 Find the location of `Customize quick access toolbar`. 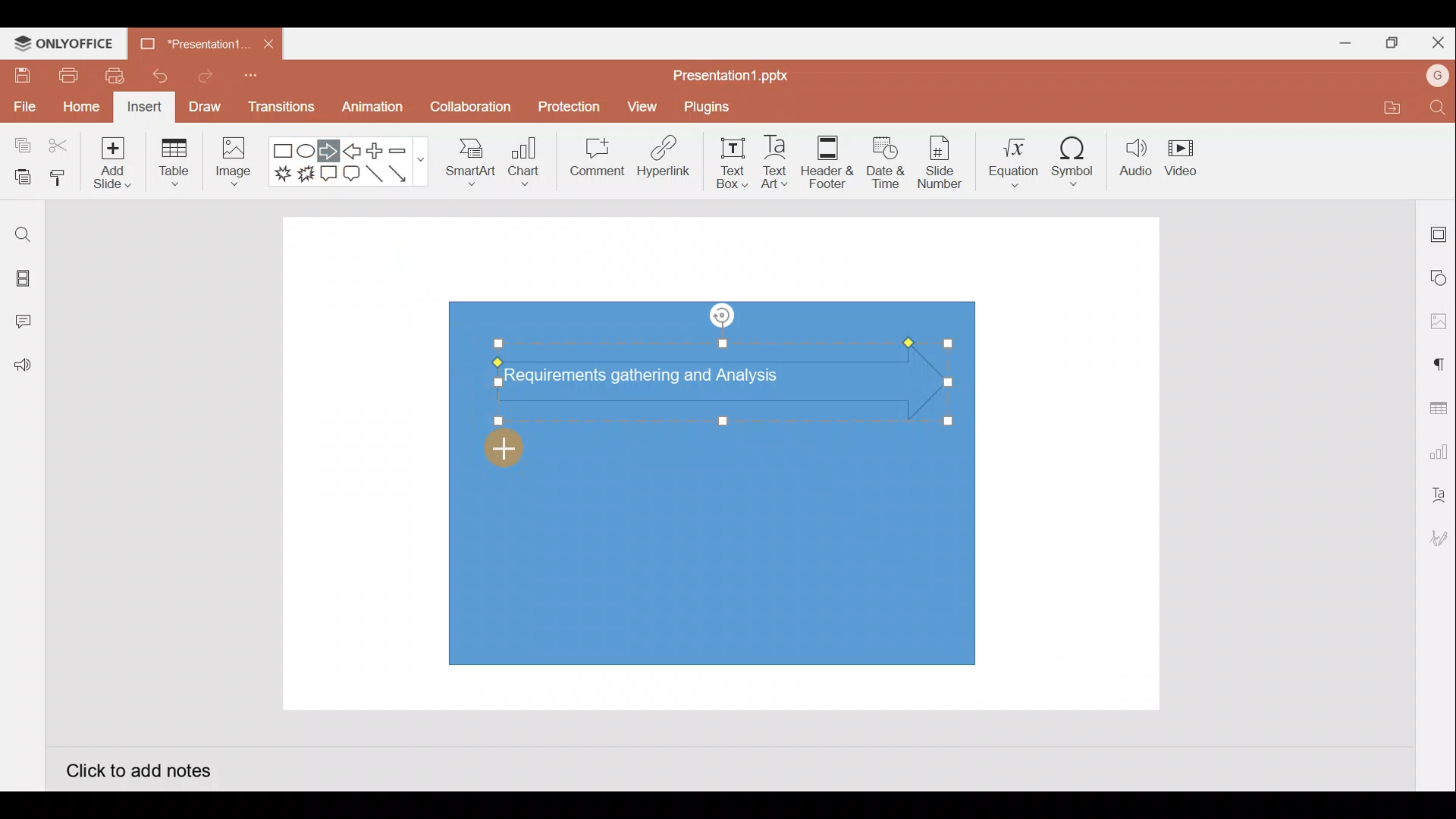

Customize quick access toolbar is located at coordinates (256, 80).